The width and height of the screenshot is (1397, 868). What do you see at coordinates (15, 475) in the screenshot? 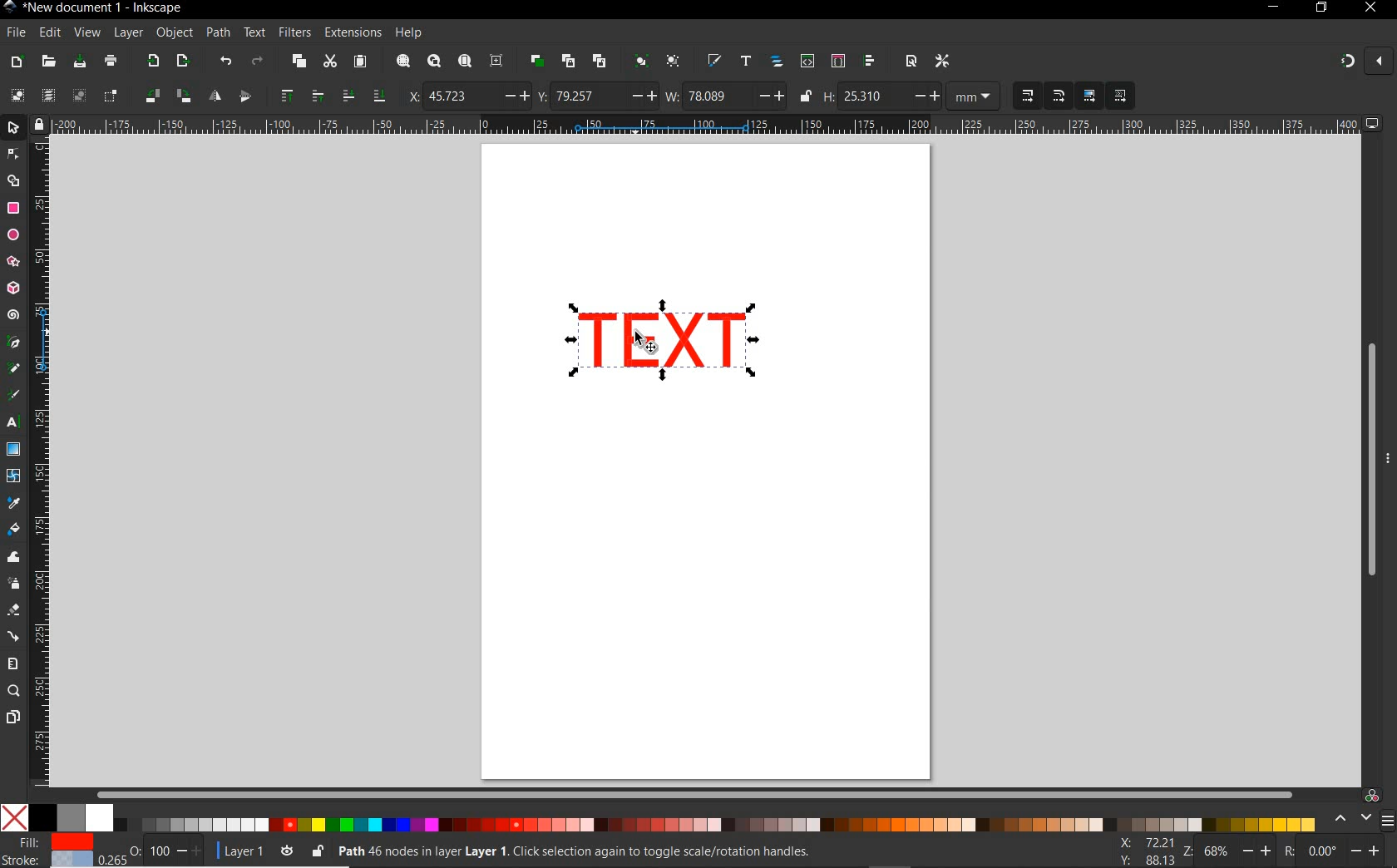
I see `MESH TOOL` at bounding box center [15, 475].